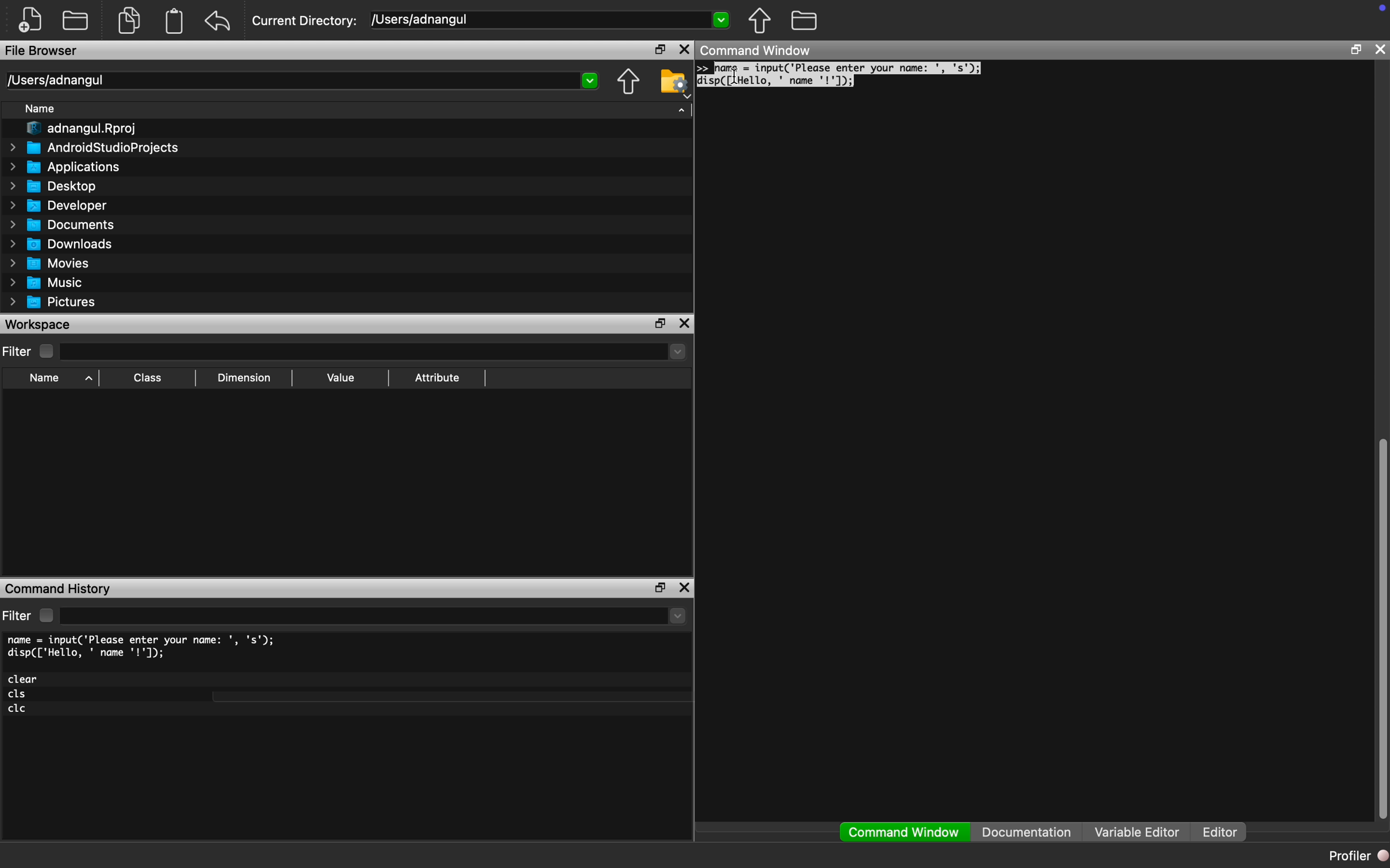 The height and width of the screenshot is (868, 1390). I want to click on Downloads, so click(63, 243).